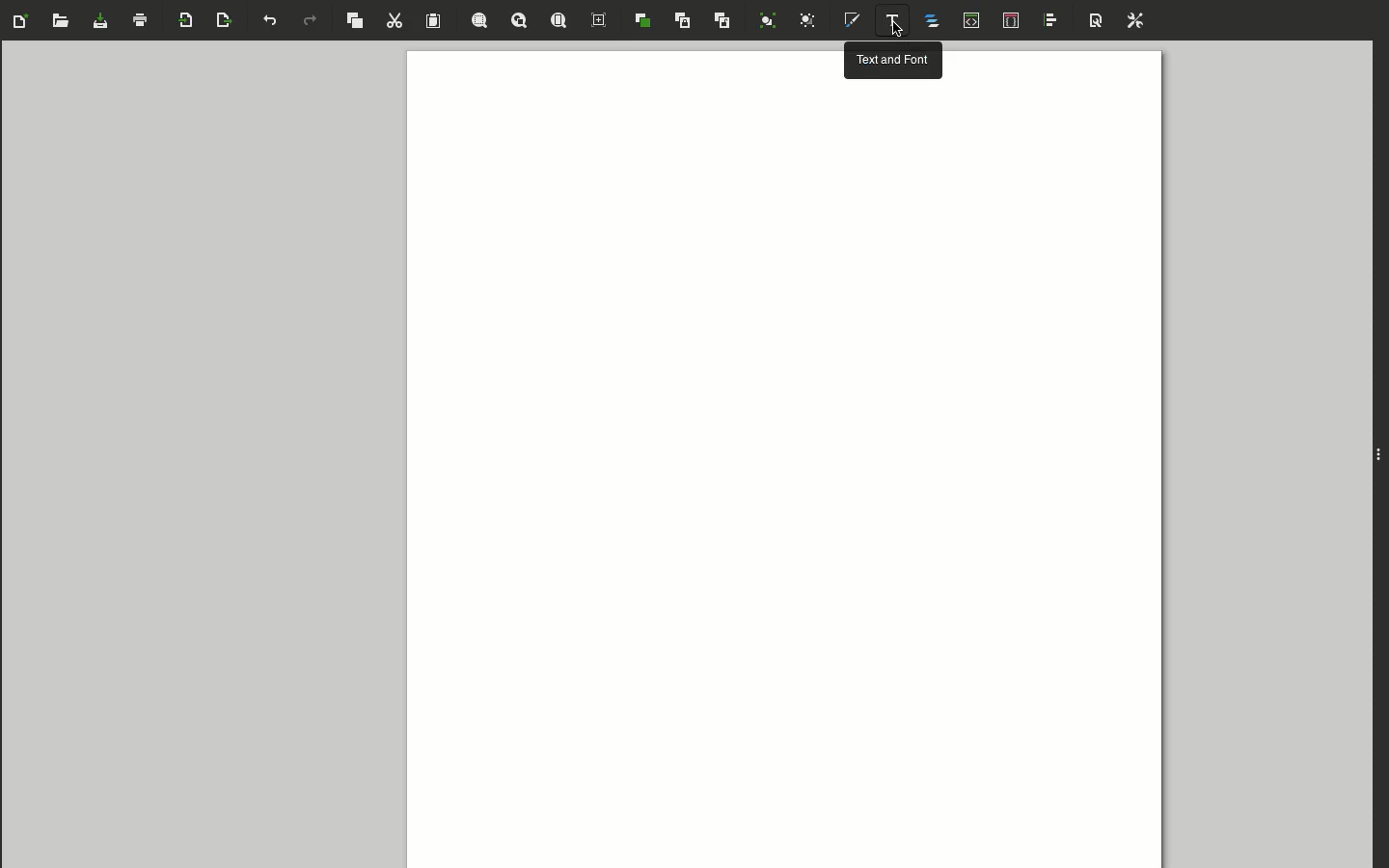  Describe the element at coordinates (143, 19) in the screenshot. I see `Print` at that location.